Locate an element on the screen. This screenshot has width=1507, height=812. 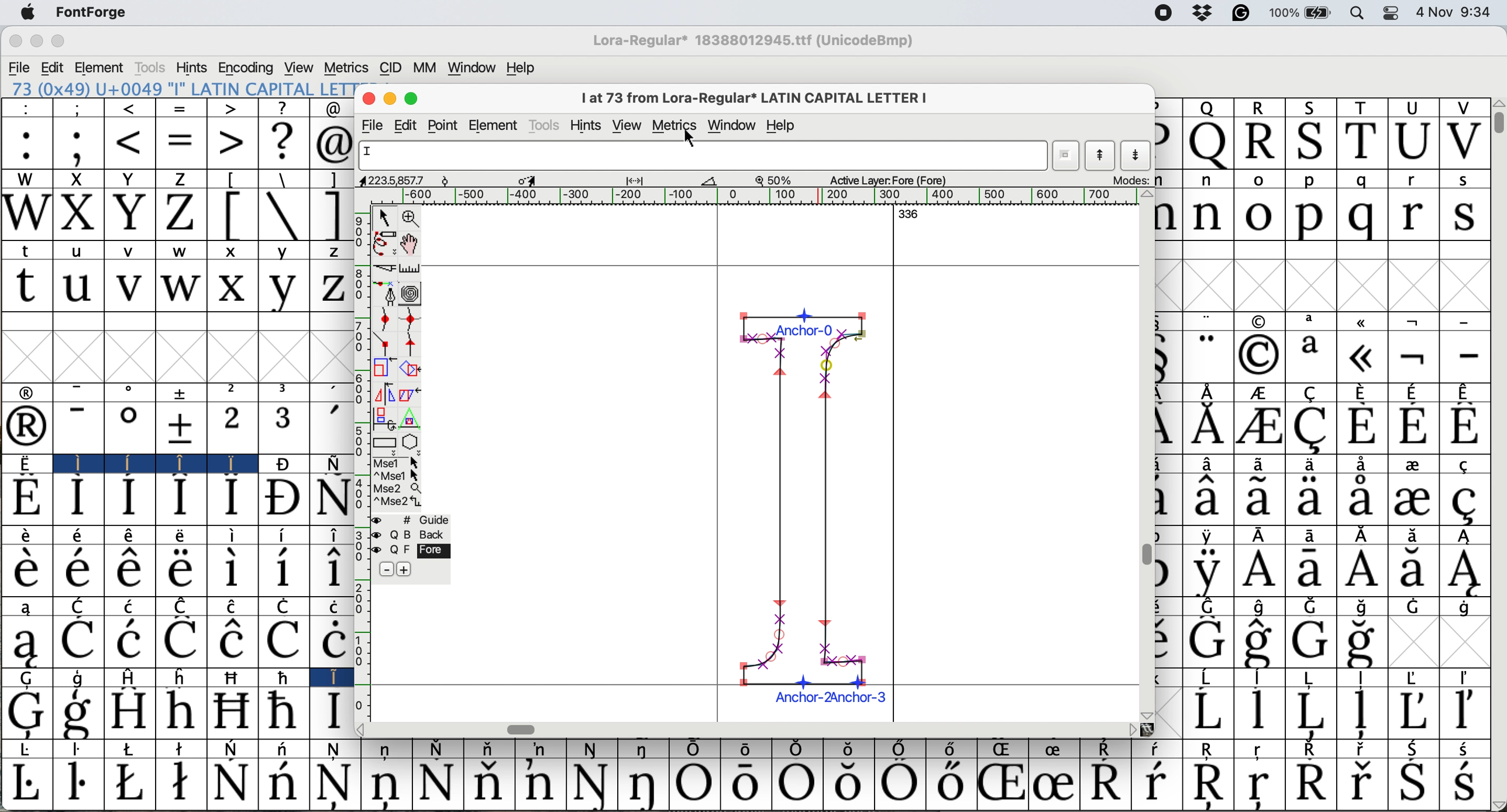
window is located at coordinates (472, 68).